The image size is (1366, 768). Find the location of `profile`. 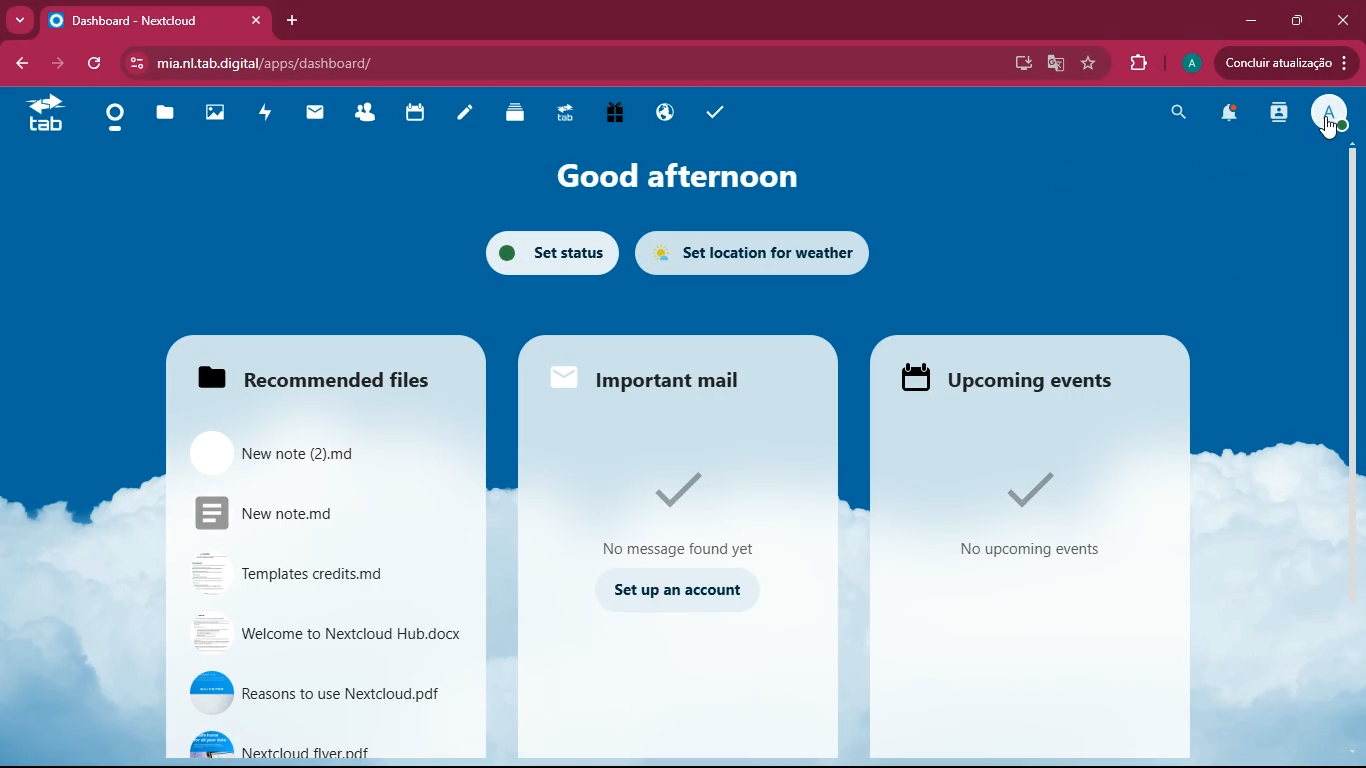

profile is located at coordinates (1333, 115).